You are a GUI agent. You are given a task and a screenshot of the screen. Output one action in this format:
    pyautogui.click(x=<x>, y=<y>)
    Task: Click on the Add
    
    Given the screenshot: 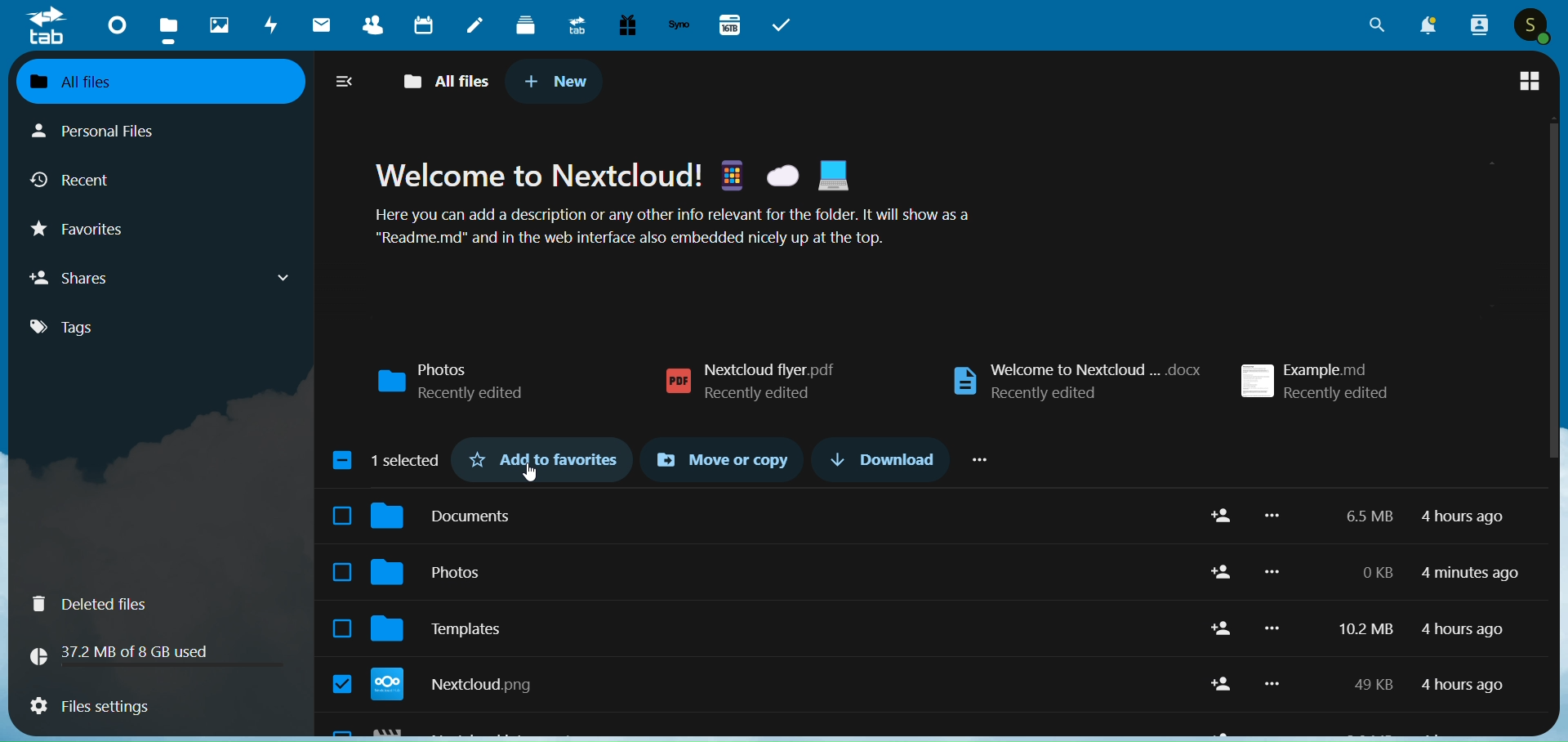 What is the action you would take?
    pyautogui.click(x=1222, y=684)
    